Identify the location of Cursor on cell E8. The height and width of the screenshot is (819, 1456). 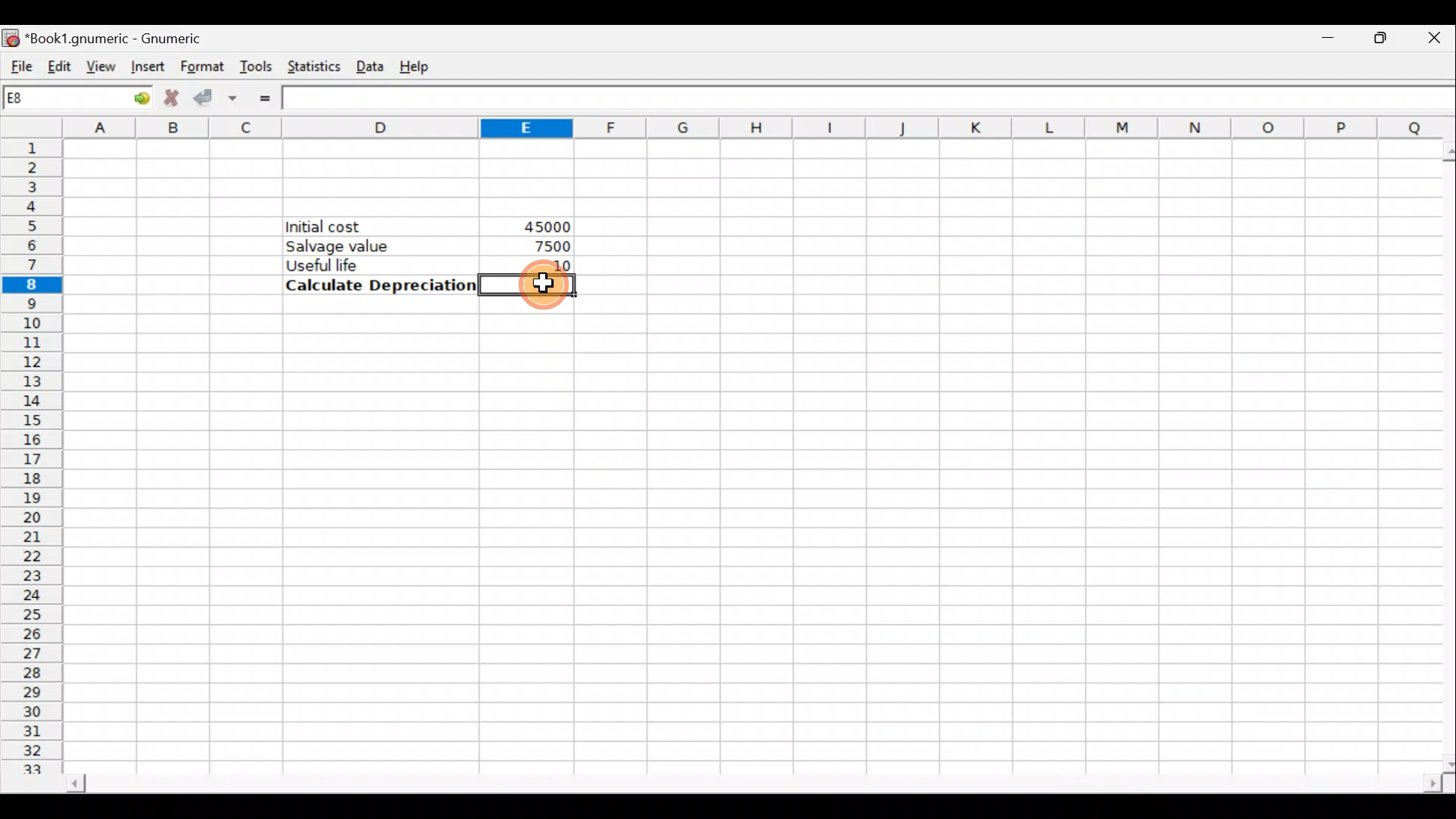
(543, 287).